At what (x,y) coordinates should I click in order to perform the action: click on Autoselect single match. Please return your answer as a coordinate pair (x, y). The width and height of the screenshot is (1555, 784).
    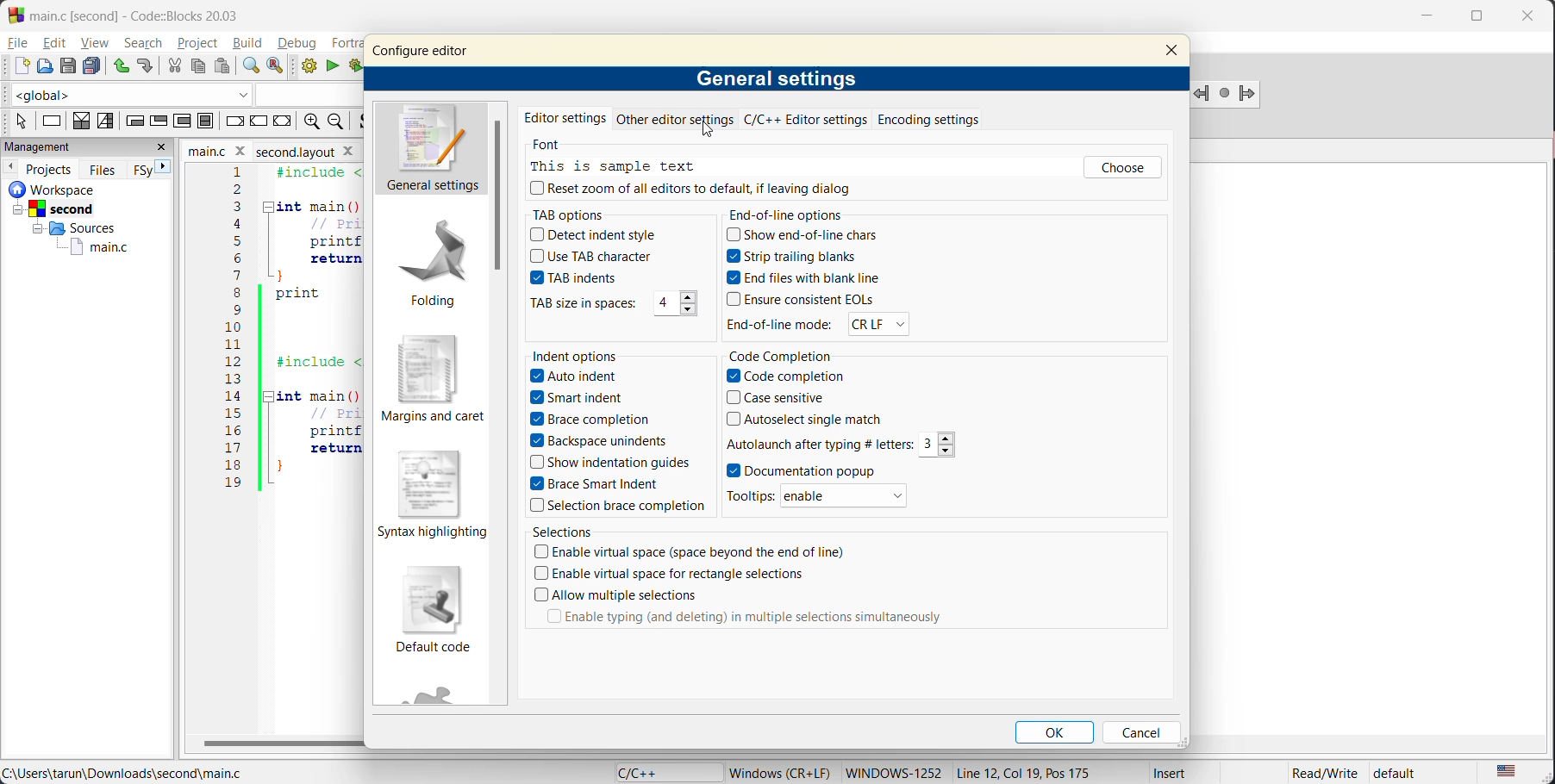
    Looking at the image, I should click on (813, 420).